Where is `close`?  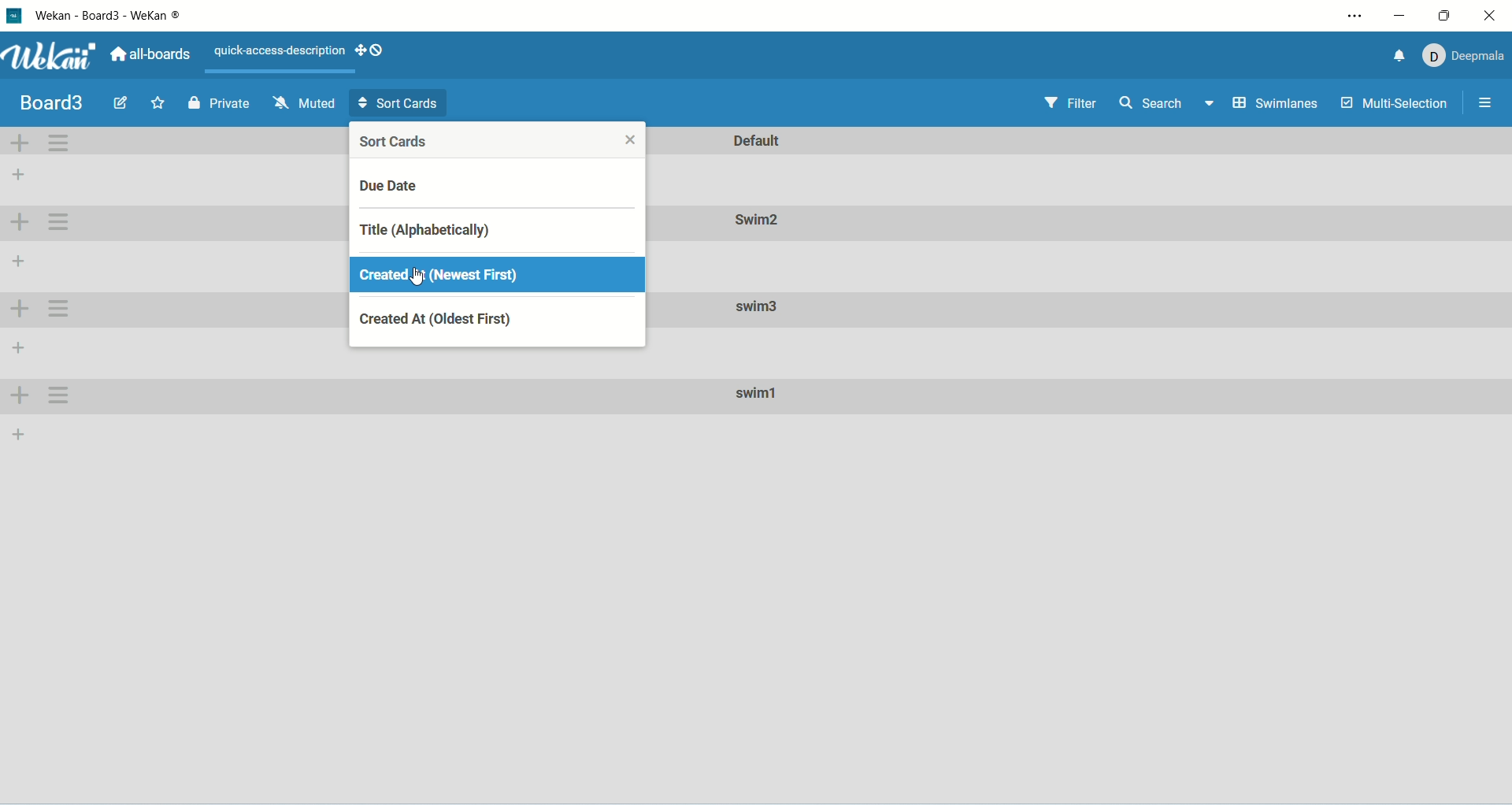 close is located at coordinates (1490, 16).